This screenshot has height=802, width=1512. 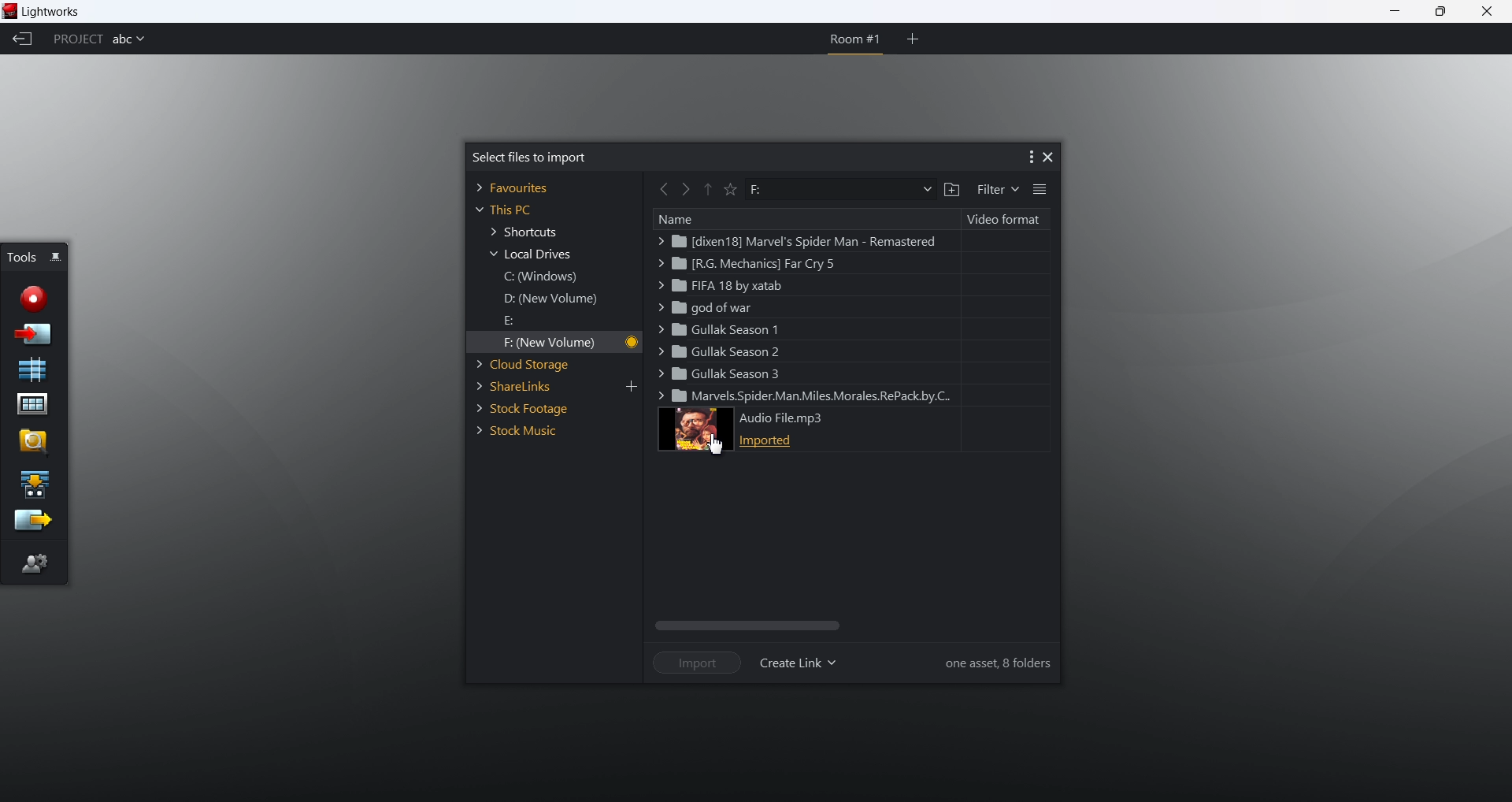 I want to click on new sequence, so click(x=34, y=369).